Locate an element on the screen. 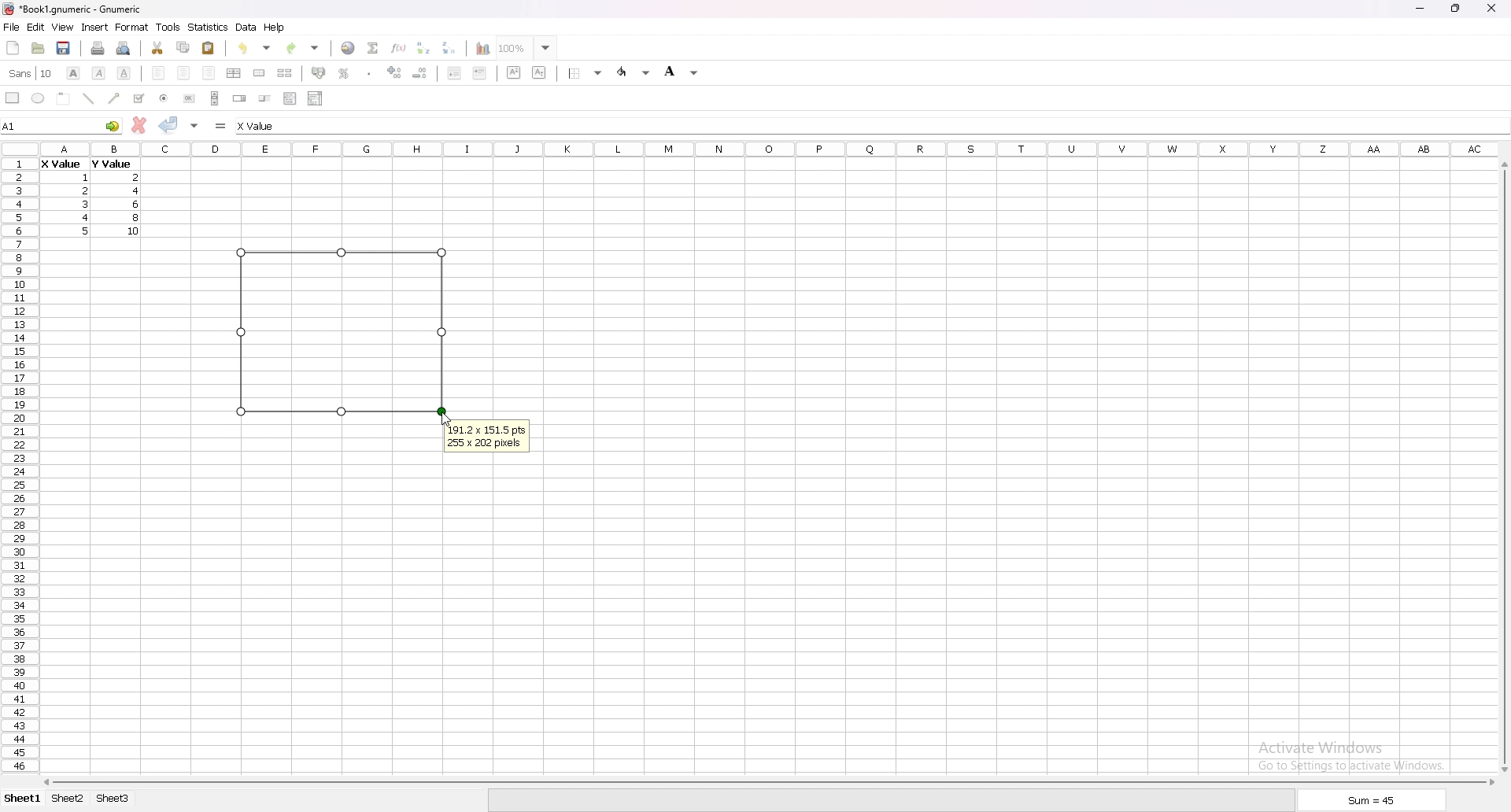 The width and height of the screenshot is (1511, 812). frame is located at coordinates (64, 98).